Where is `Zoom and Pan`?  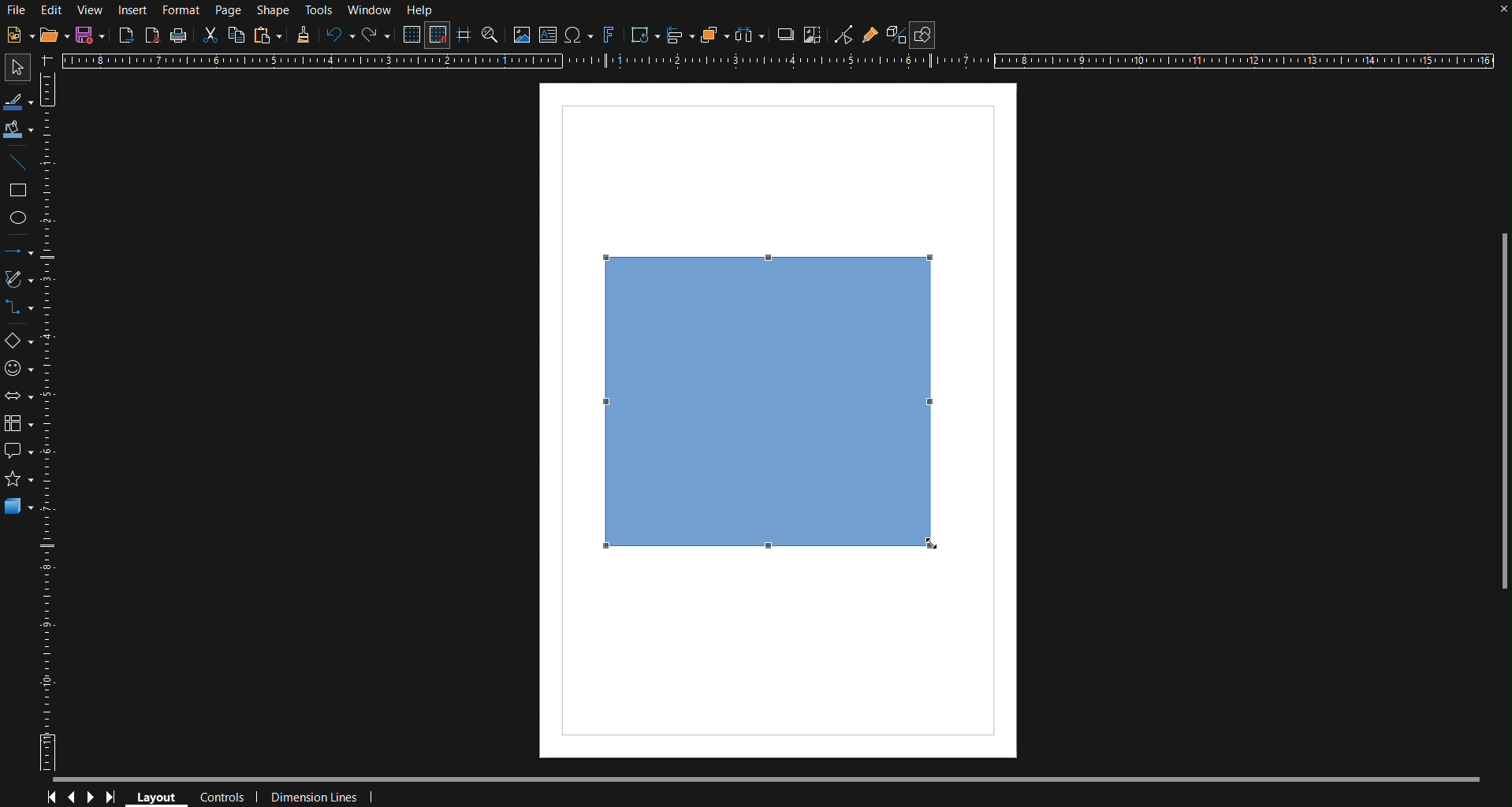 Zoom and Pan is located at coordinates (490, 34).